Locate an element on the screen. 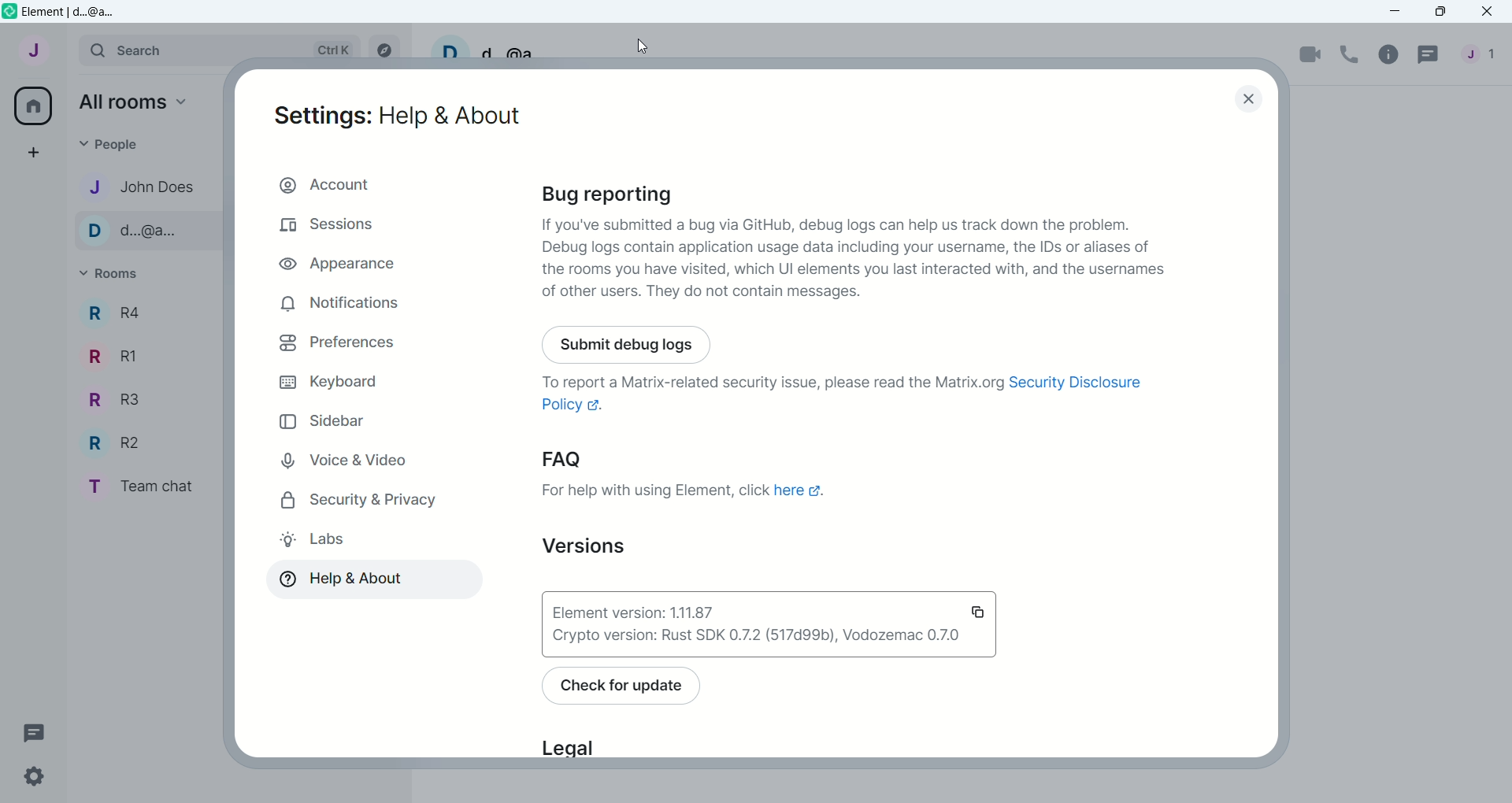  Explore rooms is located at coordinates (384, 48).